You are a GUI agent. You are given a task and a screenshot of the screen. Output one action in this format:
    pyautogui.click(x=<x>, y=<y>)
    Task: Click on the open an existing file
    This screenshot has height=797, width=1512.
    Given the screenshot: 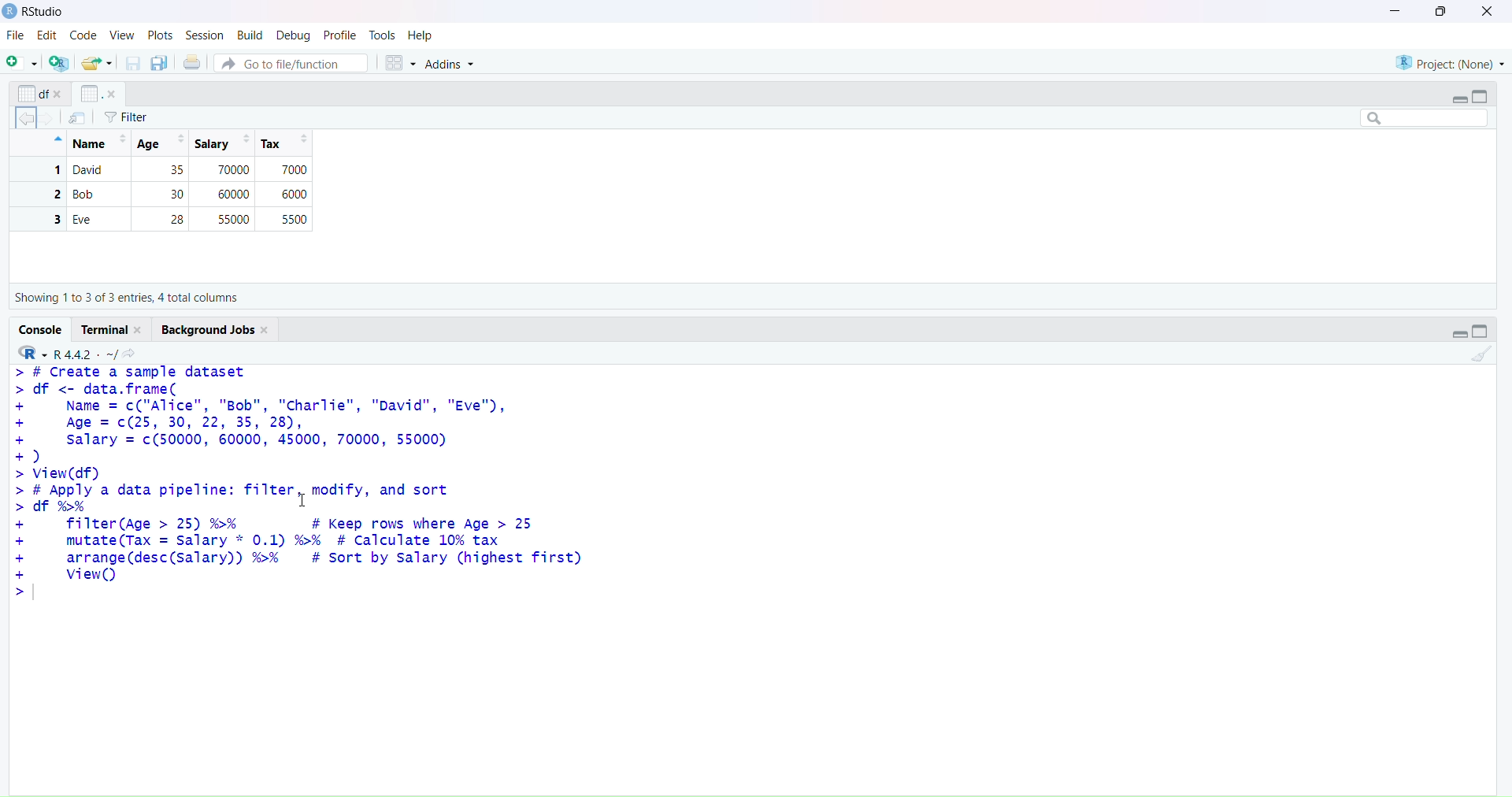 What is the action you would take?
    pyautogui.click(x=100, y=65)
    